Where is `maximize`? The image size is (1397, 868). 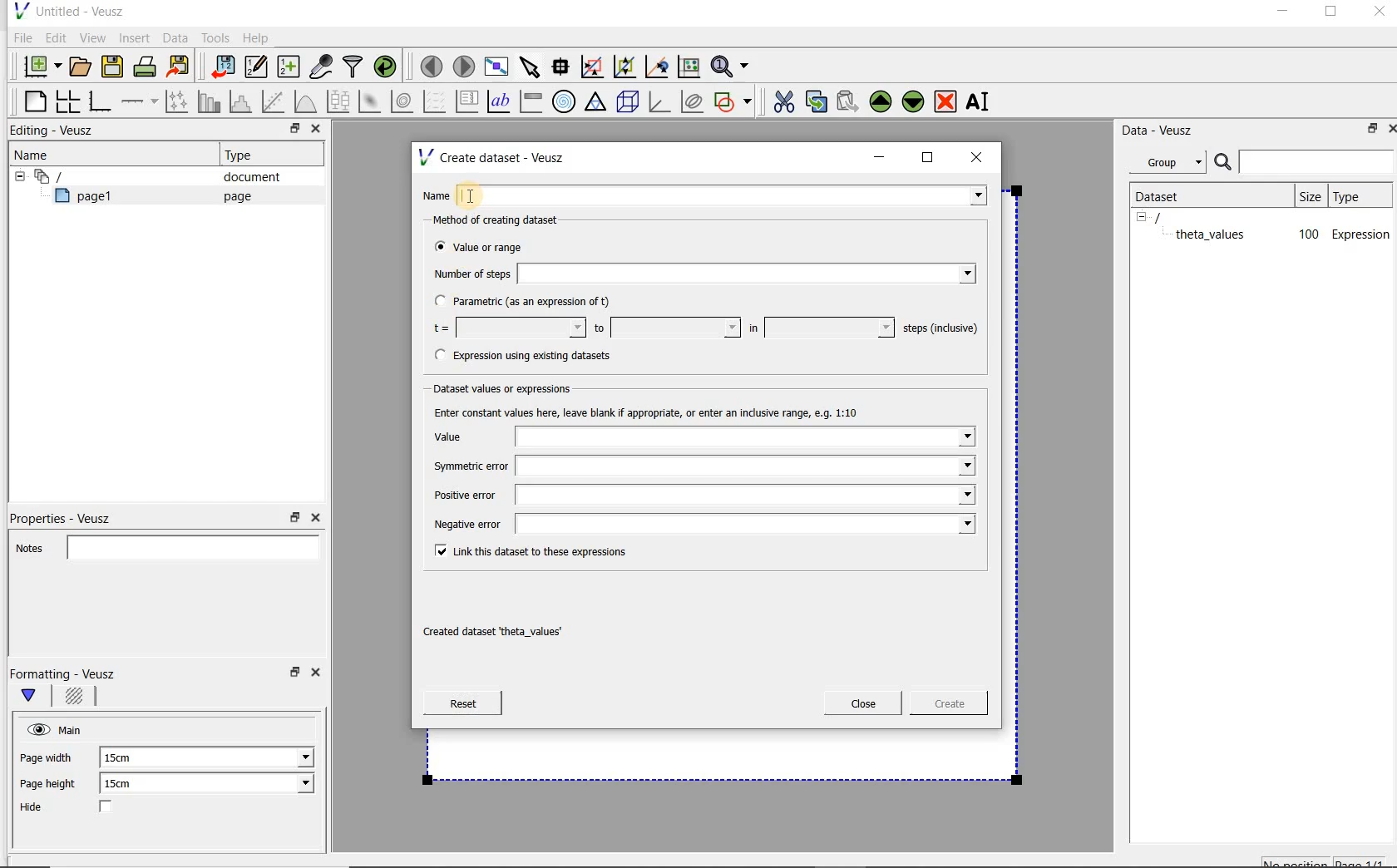
maximize is located at coordinates (1331, 14).